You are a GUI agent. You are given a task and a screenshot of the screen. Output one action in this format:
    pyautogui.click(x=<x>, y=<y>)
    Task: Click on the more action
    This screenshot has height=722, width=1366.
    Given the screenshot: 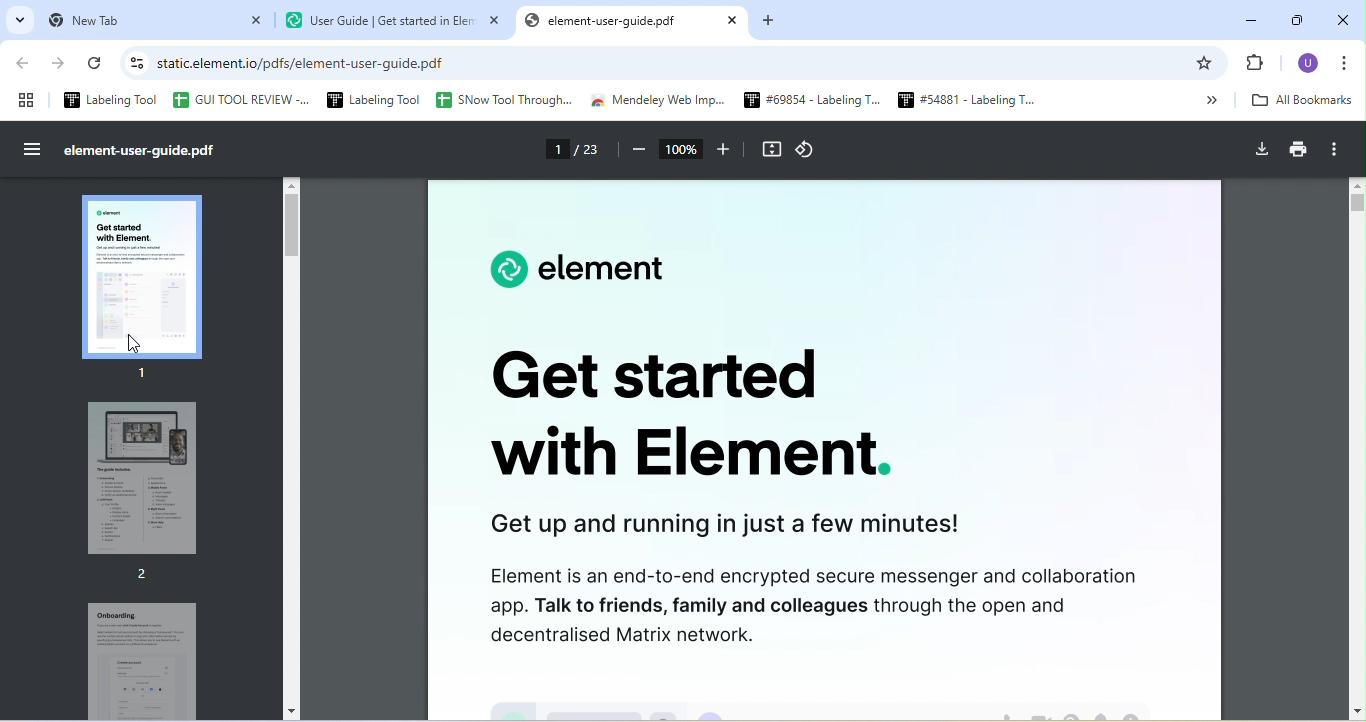 What is the action you would take?
    pyautogui.click(x=1343, y=150)
    